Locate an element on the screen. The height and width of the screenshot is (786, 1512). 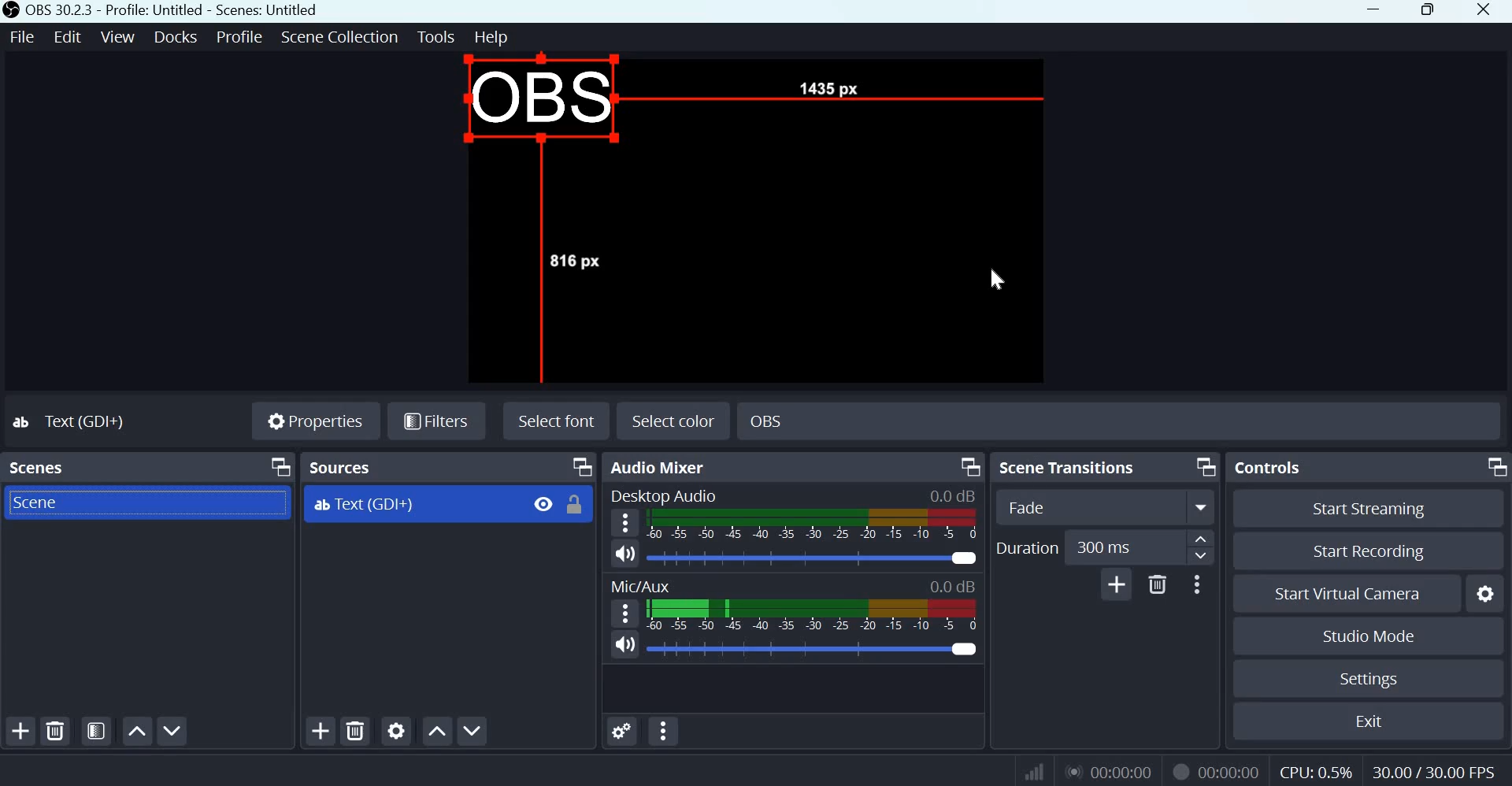
Speaker icon is located at coordinates (624, 645).